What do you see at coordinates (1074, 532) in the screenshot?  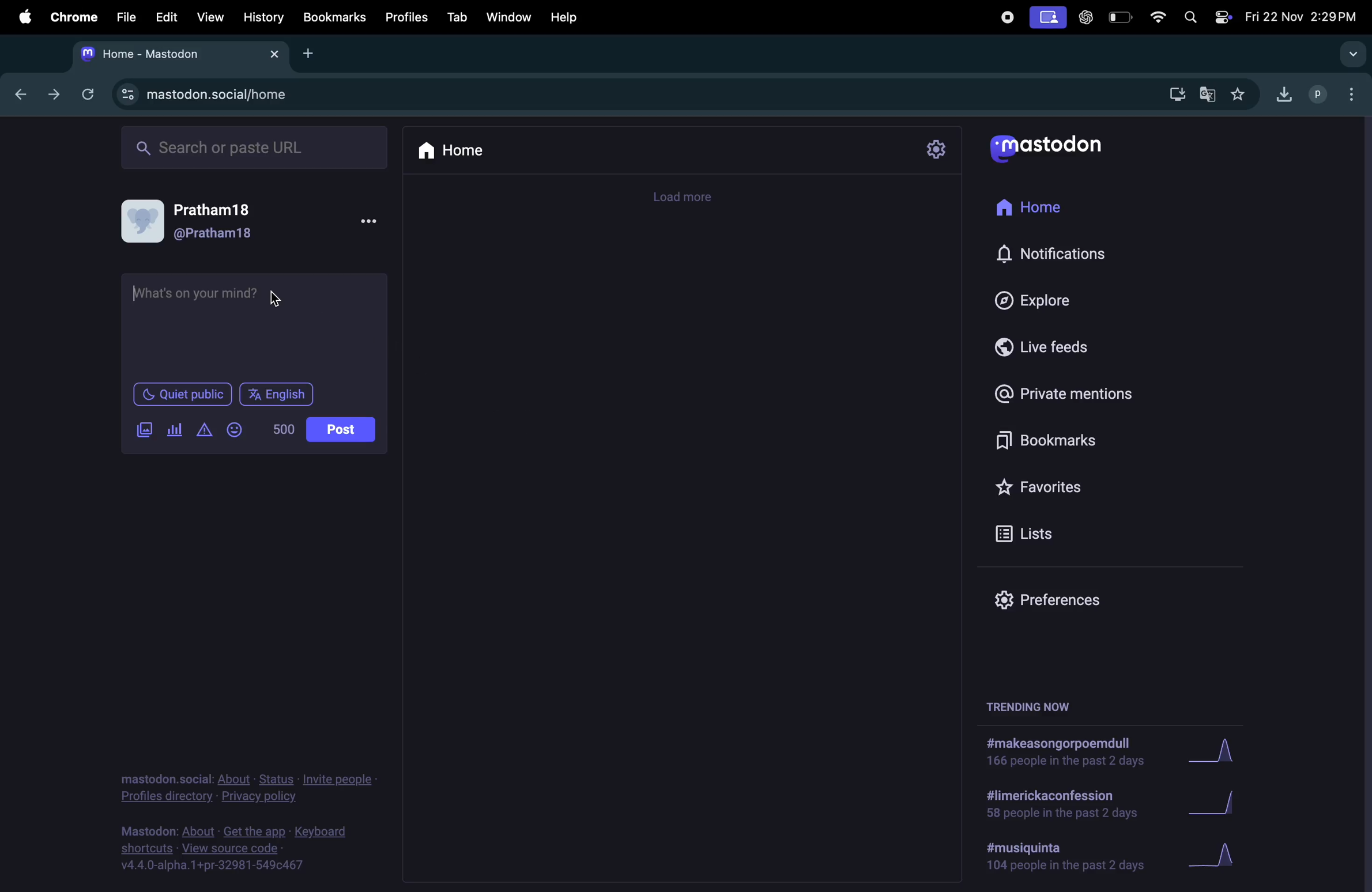 I see `lists` at bounding box center [1074, 532].